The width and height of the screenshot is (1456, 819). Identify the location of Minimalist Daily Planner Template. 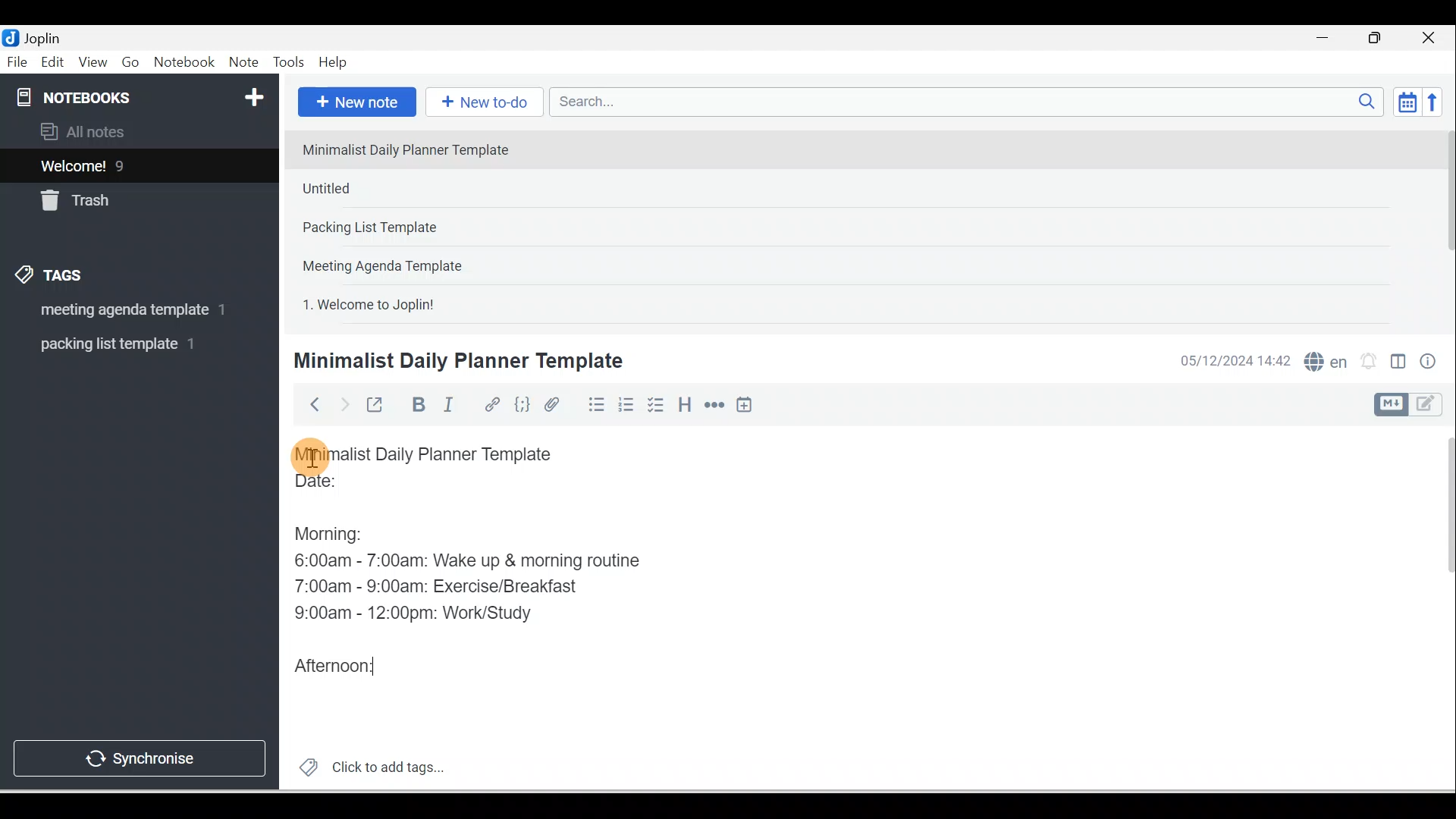
(438, 454).